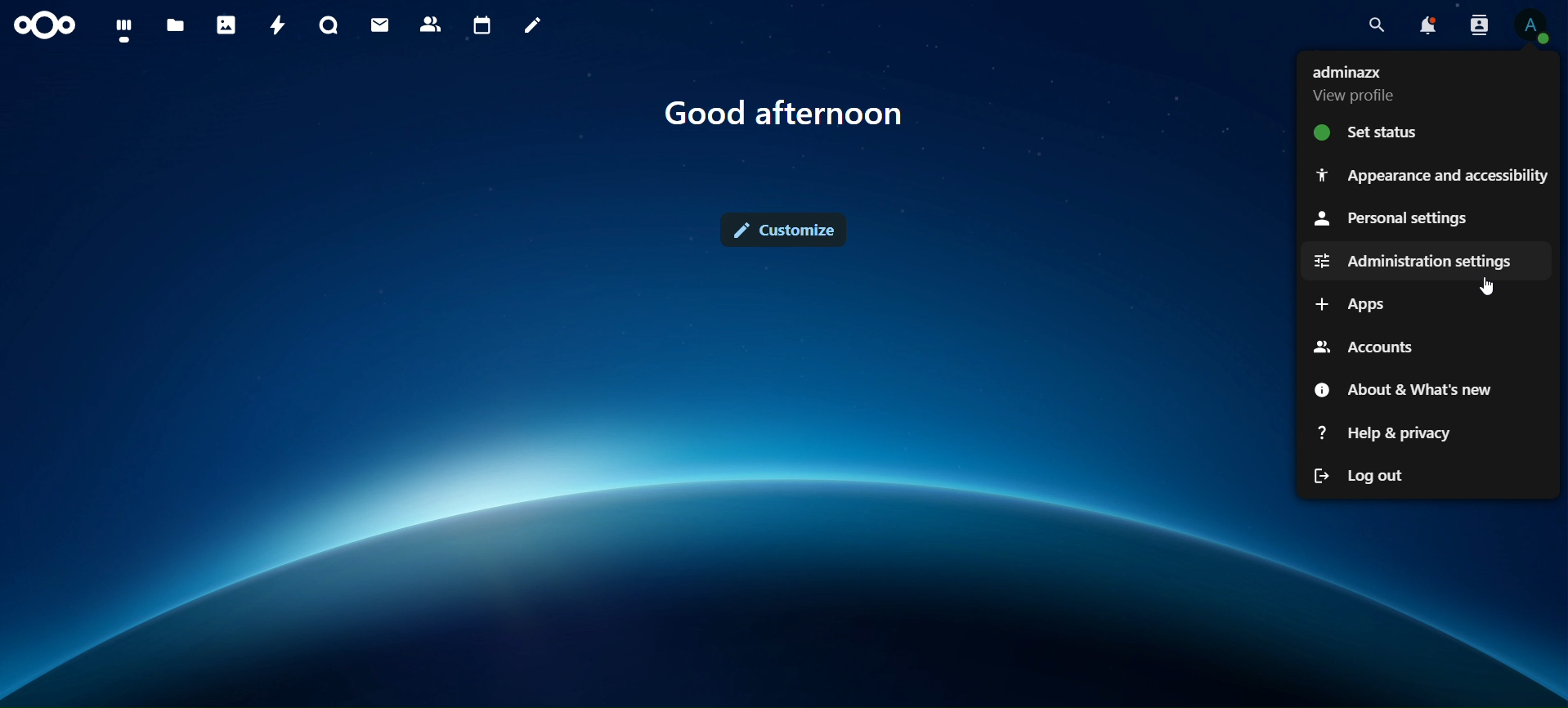  What do you see at coordinates (226, 27) in the screenshot?
I see `photos` at bounding box center [226, 27].